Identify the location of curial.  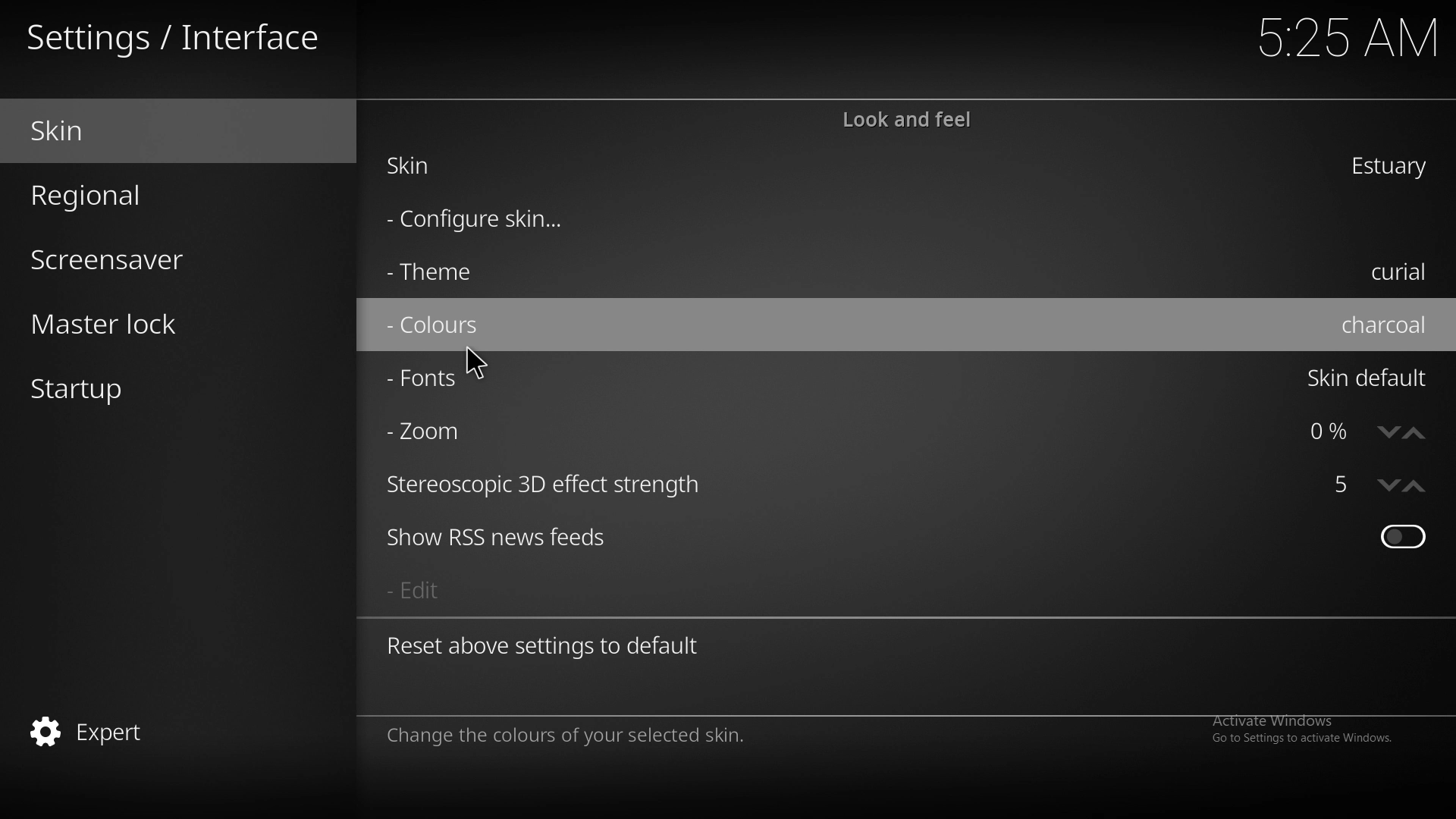
(1398, 271).